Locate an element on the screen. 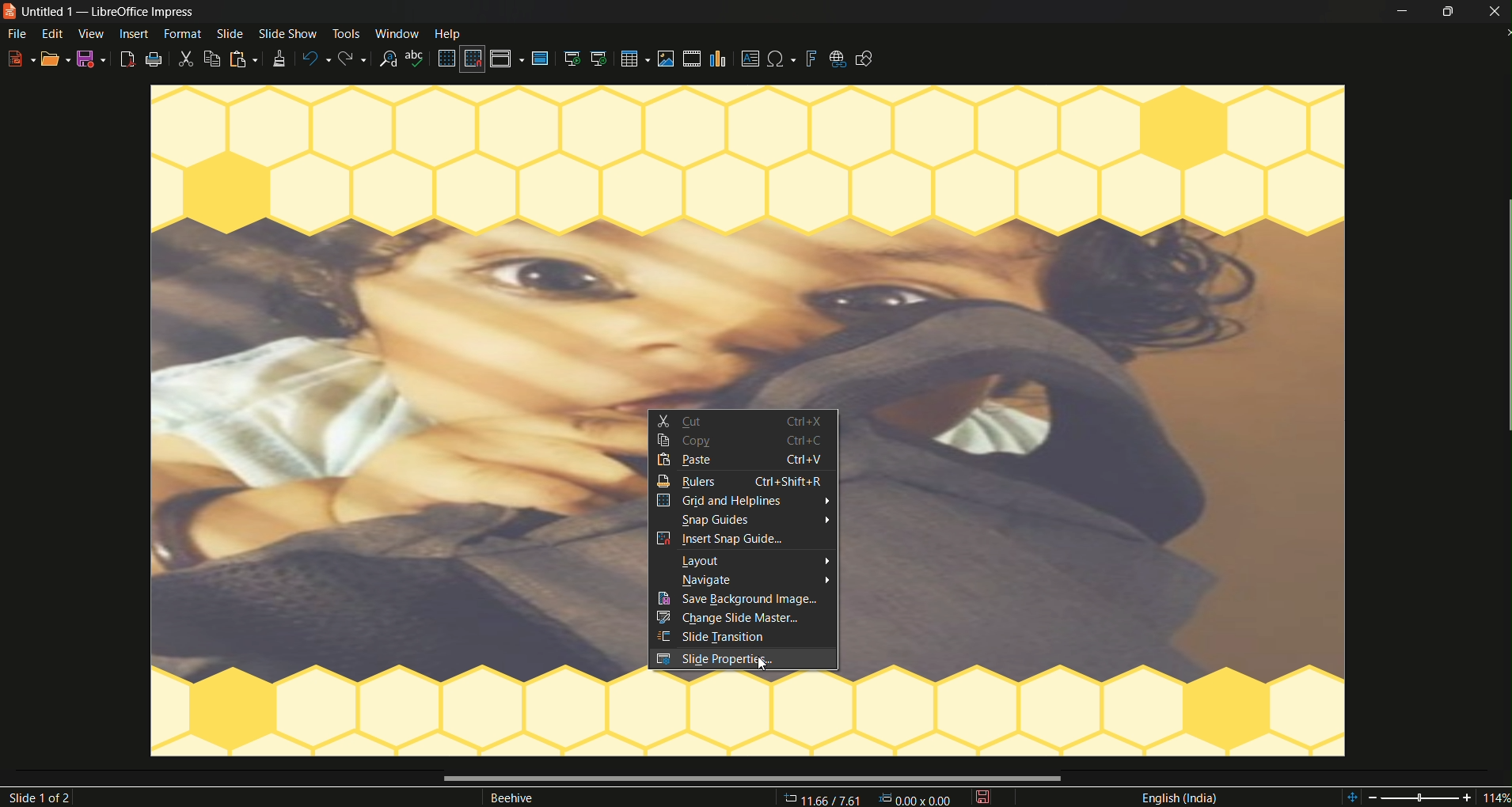 The width and height of the screenshot is (1512, 807). spelling is located at coordinates (417, 59).